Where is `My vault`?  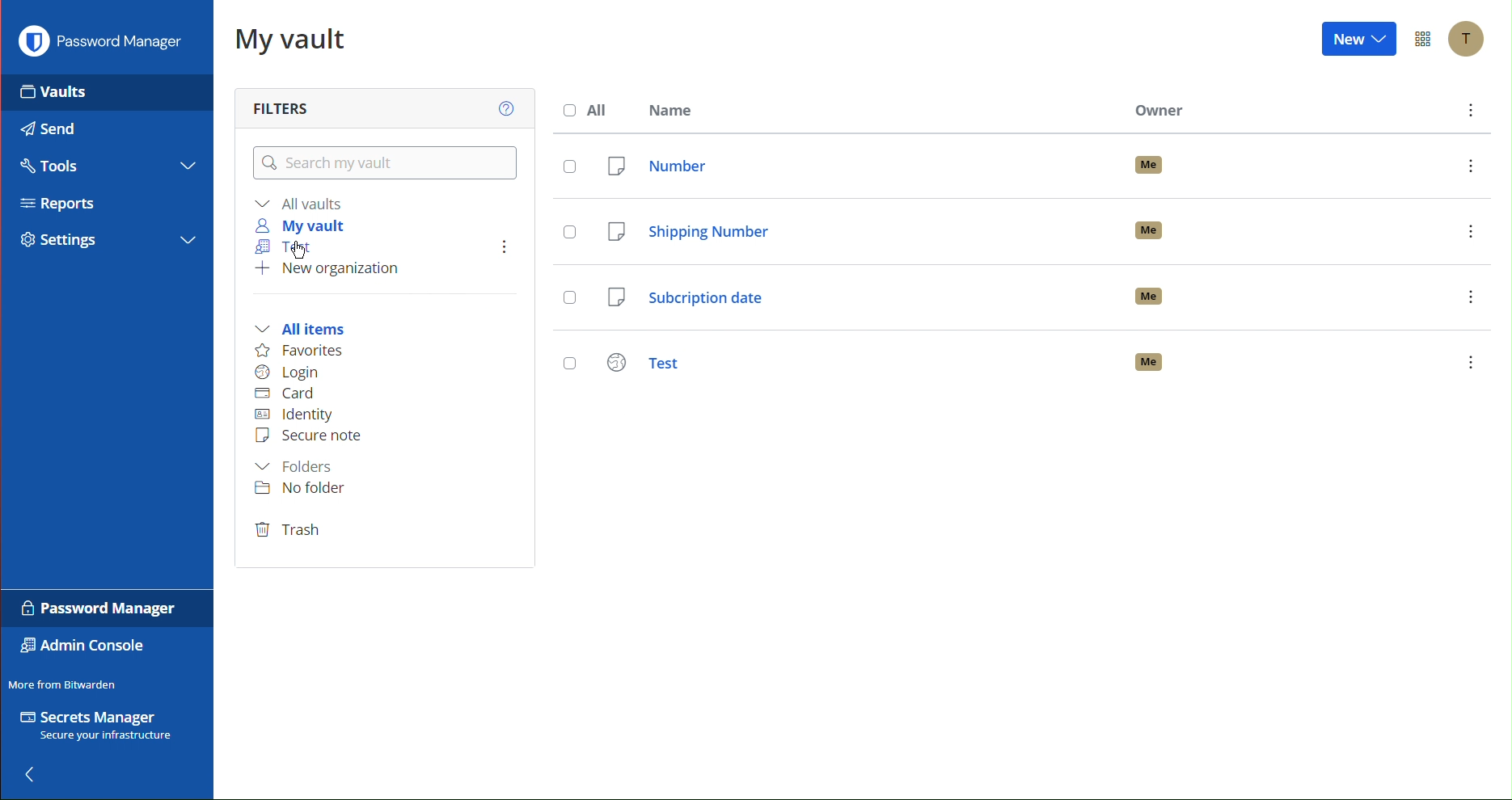
My vault is located at coordinates (298, 225).